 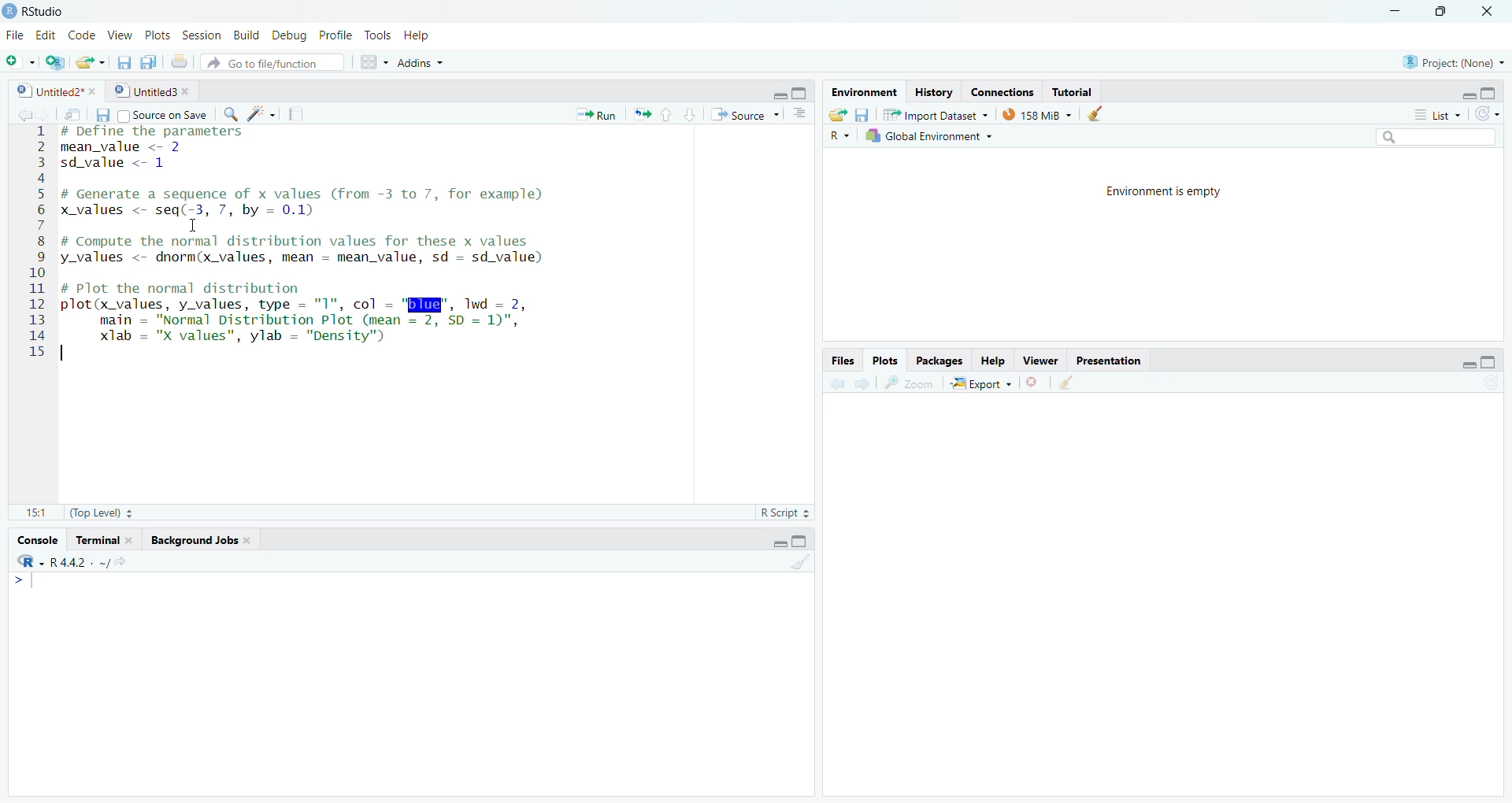 I want to click on forward/backward, so click(x=854, y=380).